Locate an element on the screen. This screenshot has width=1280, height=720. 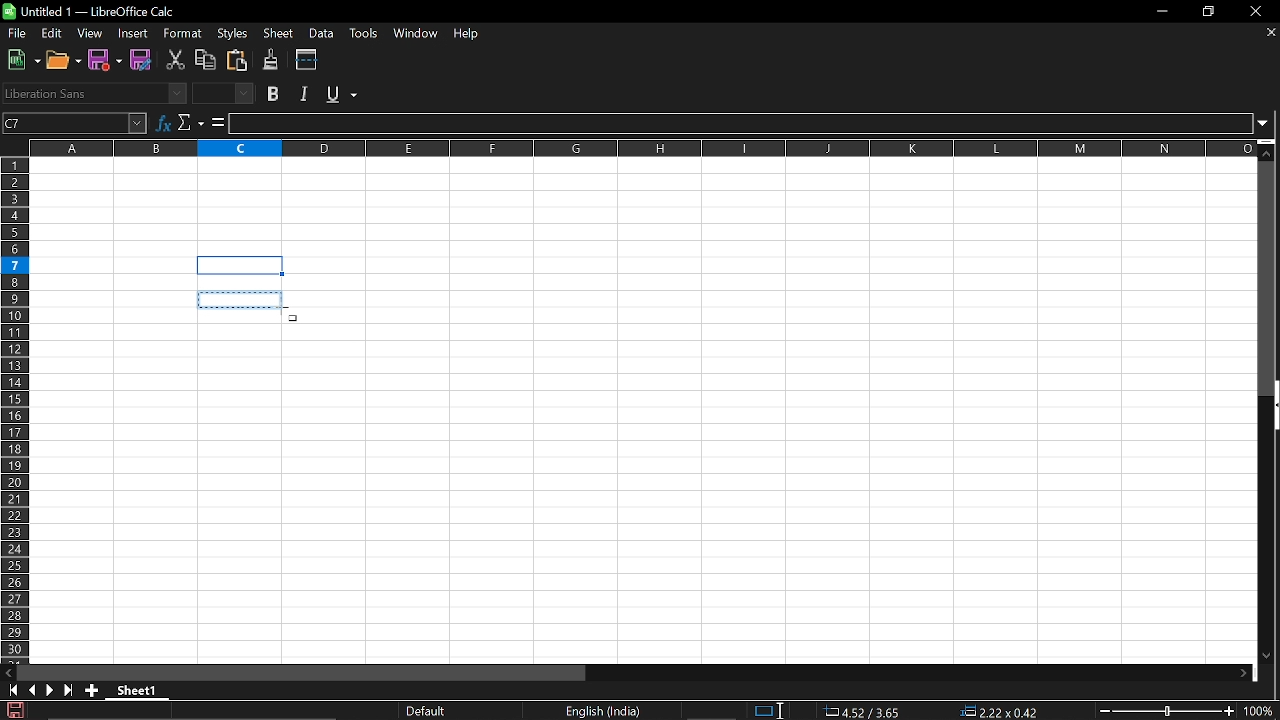
Font size is located at coordinates (226, 94).